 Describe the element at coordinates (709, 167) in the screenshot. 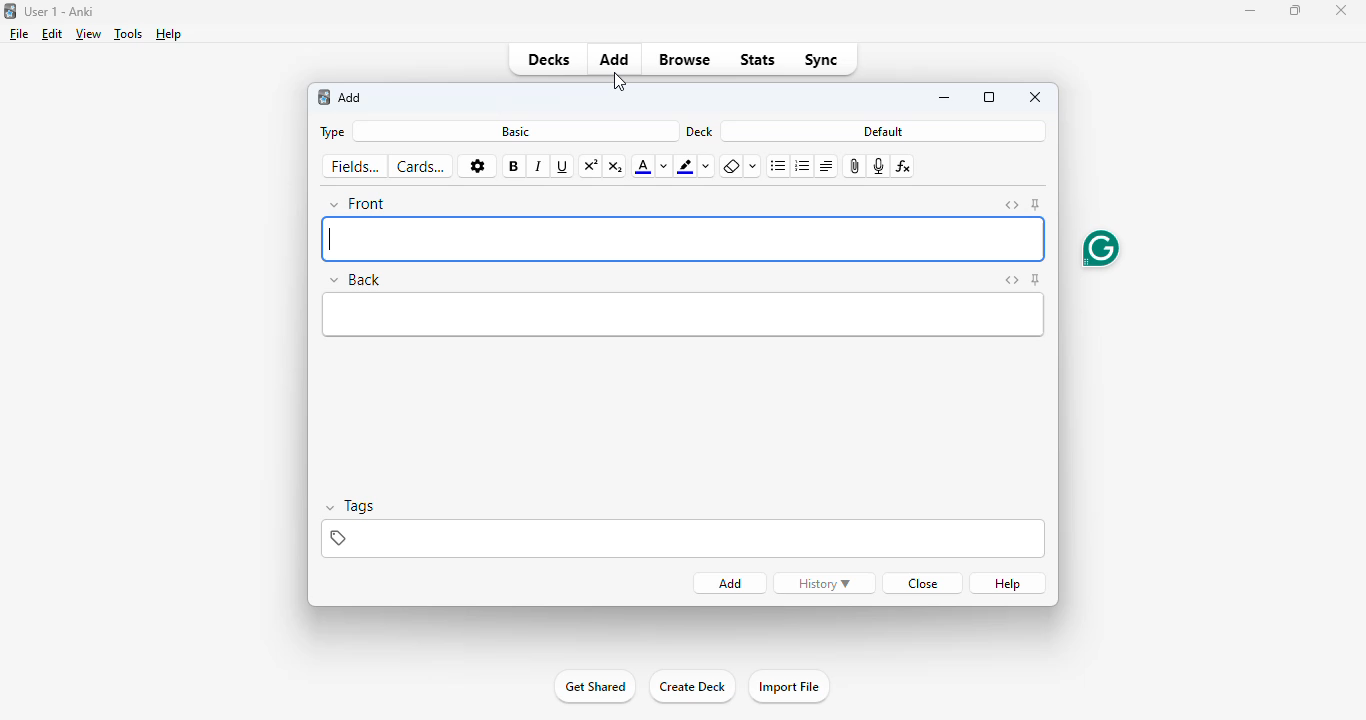

I see `change color` at that location.